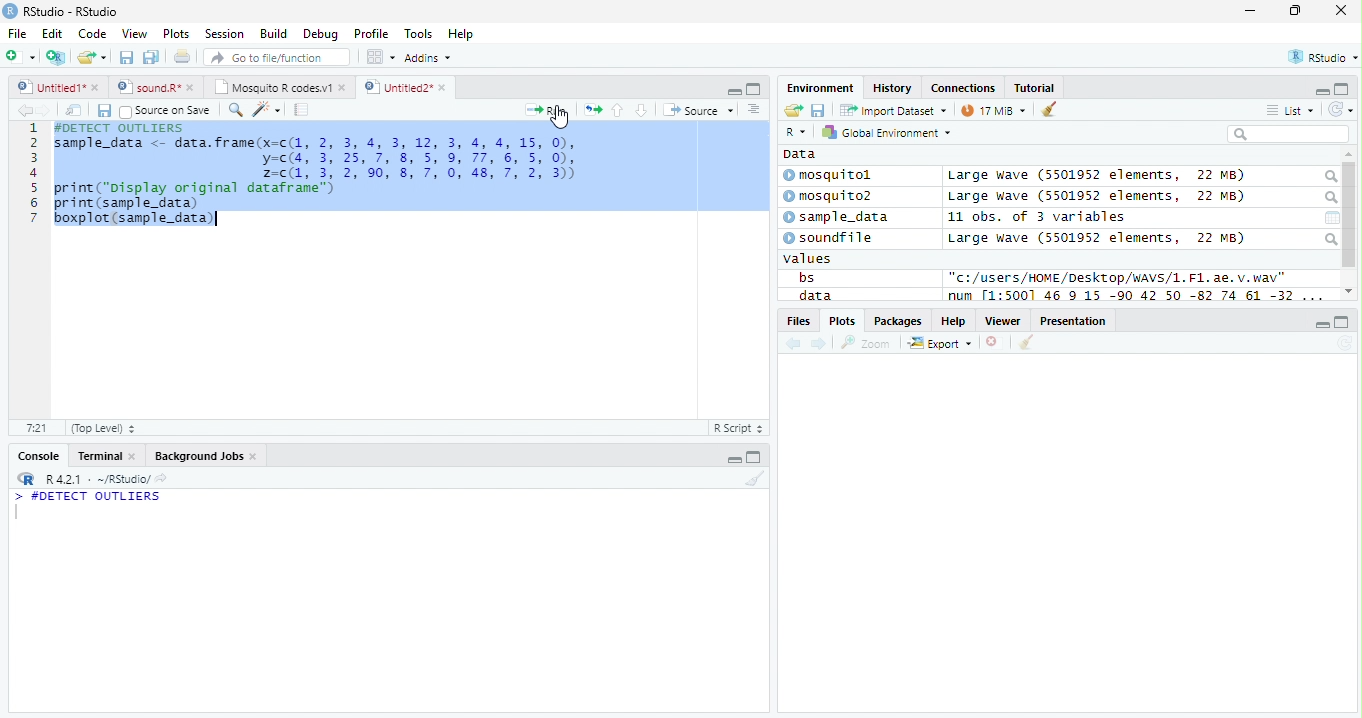 Image resolution: width=1362 pixels, height=718 pixels. I want to click on RStudio - RStudio, so click(71, 11).